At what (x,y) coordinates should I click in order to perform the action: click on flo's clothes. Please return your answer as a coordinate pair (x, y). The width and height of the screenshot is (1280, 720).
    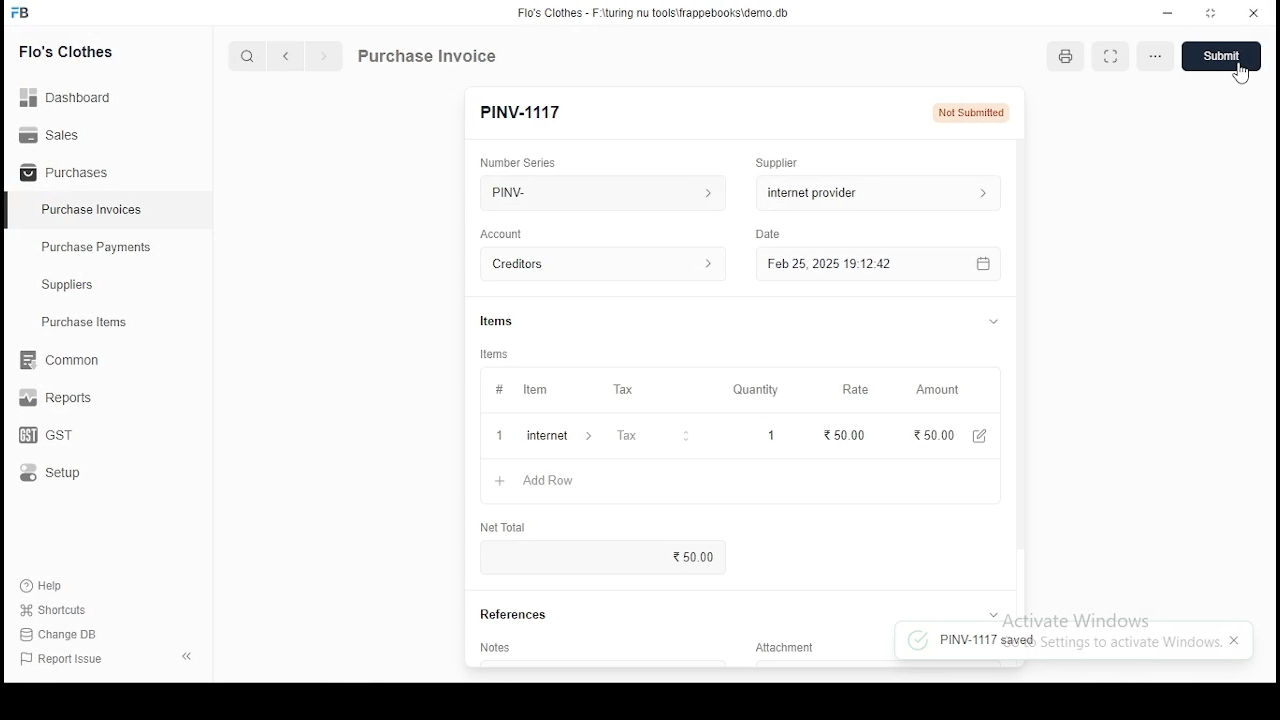
    Looking at the image, I should click on (69, 51).